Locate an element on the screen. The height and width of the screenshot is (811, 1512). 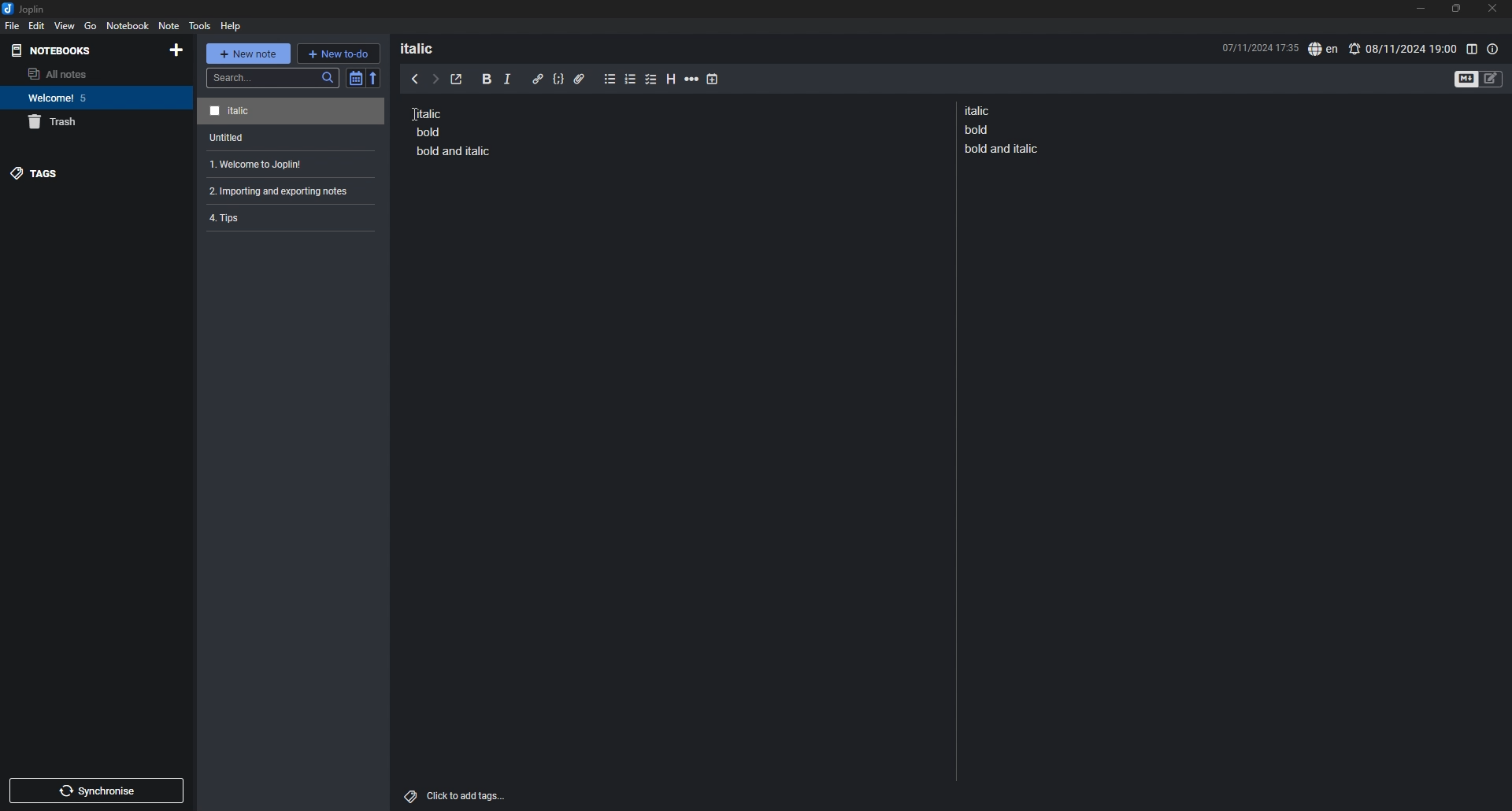
date and time is located at coordinates (1259, 46).